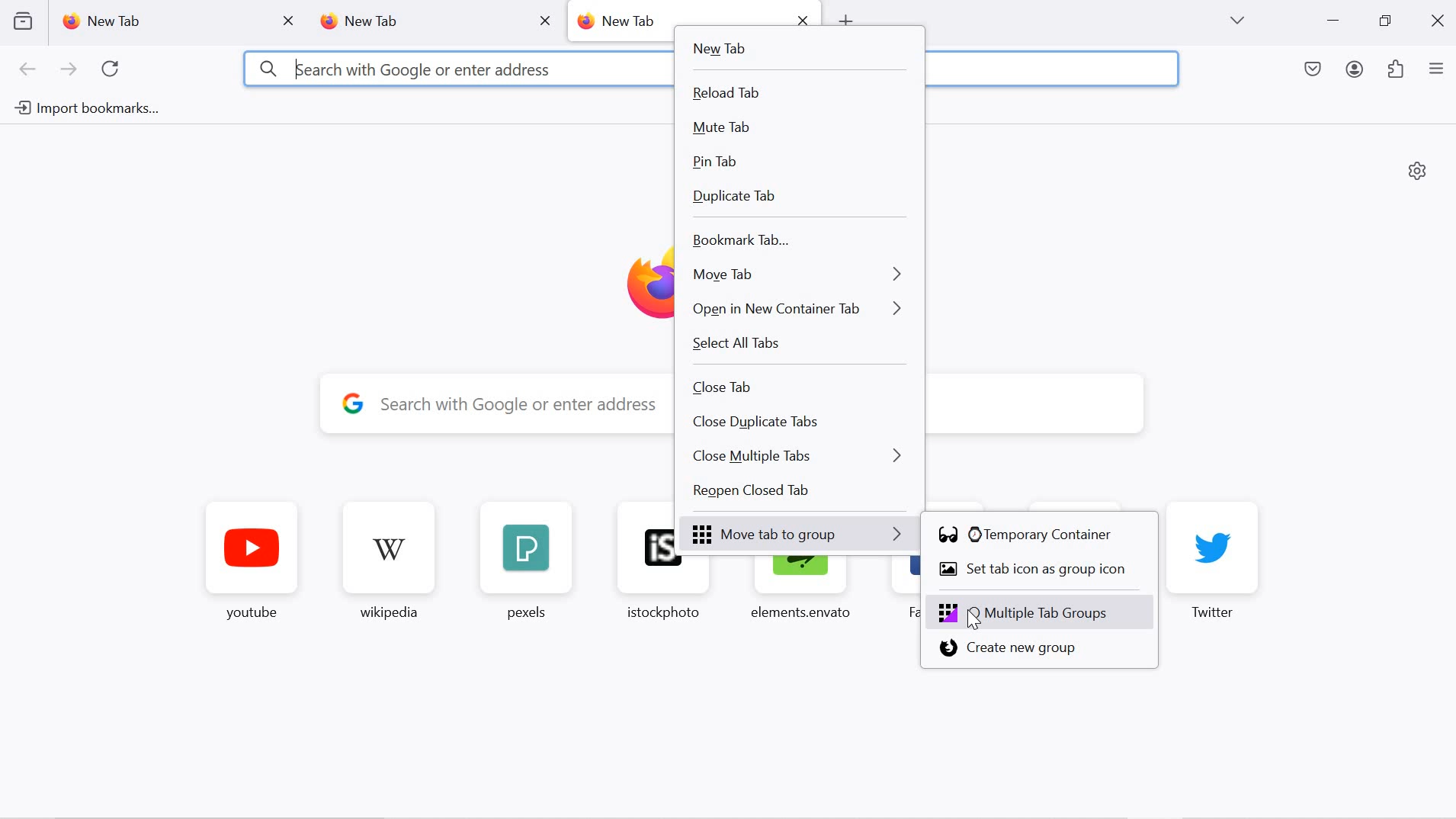 The width and height of the screenshot is (1456, 819). Describe the element at coordinates (845, 18) in the screenshot. I see `open new tab` at that location.